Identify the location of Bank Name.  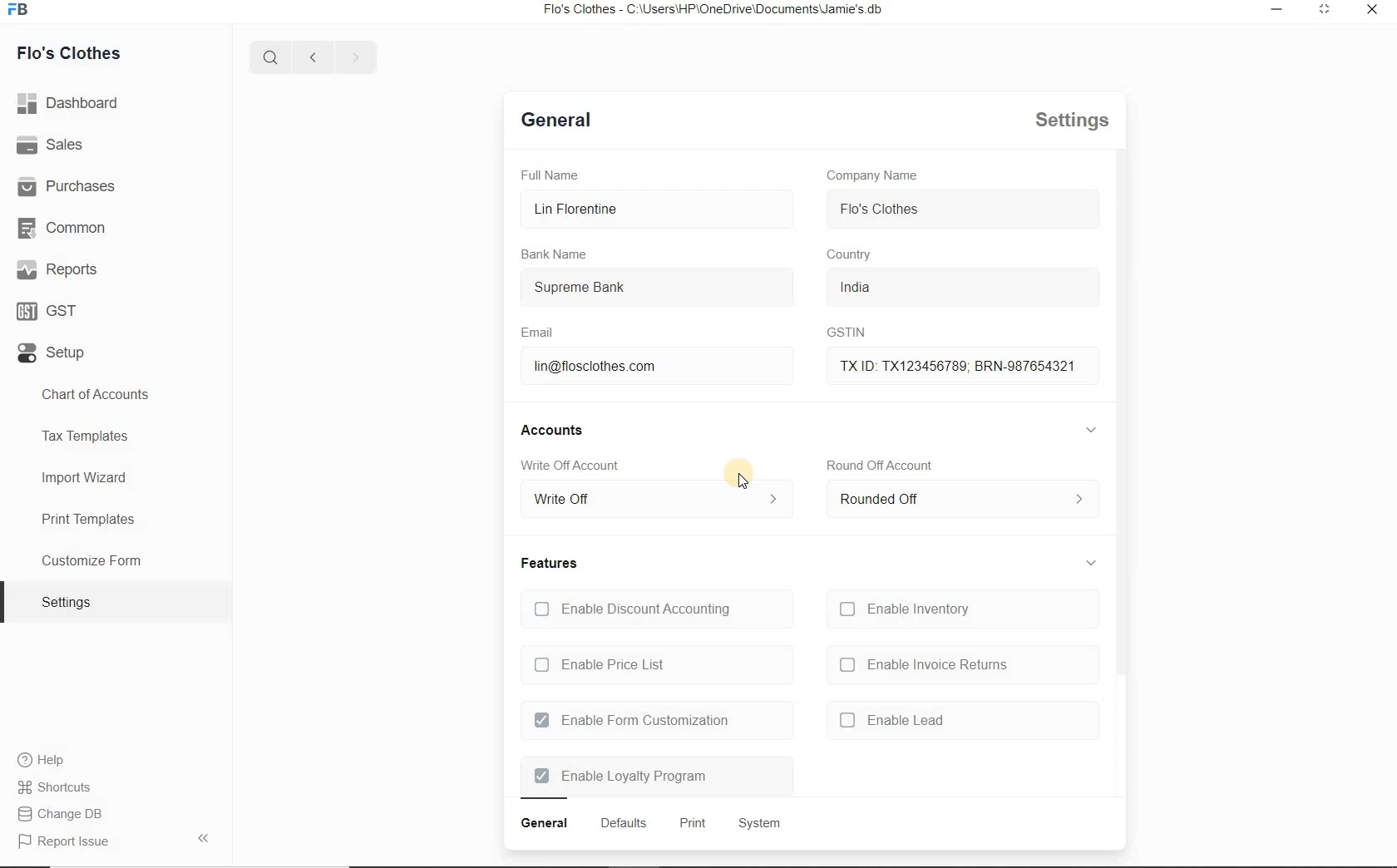
(552, 252).